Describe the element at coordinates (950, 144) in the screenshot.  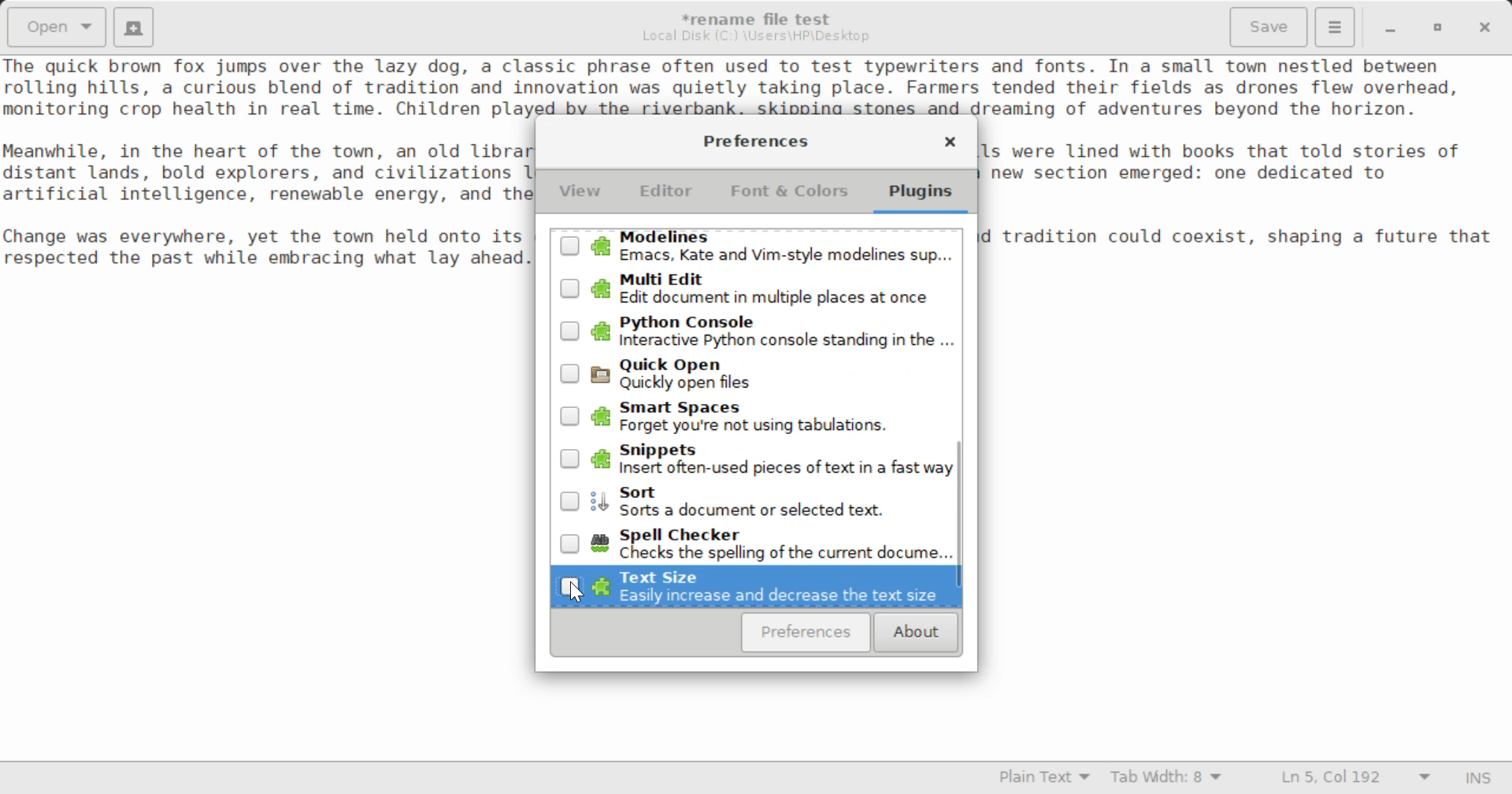
I see `Close Window` at that location.